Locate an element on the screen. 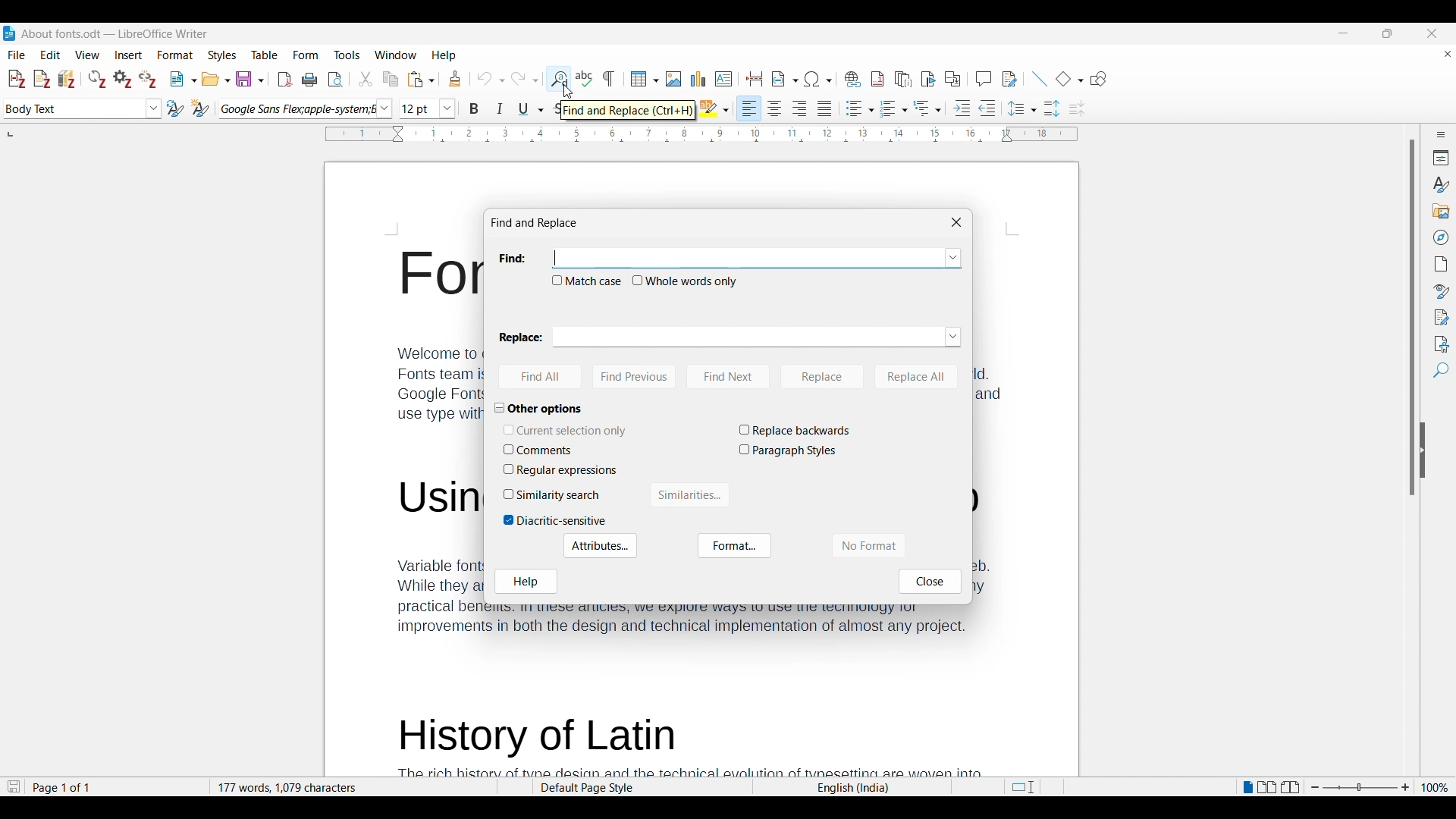  Replace all is located at coordinates (916, 378).